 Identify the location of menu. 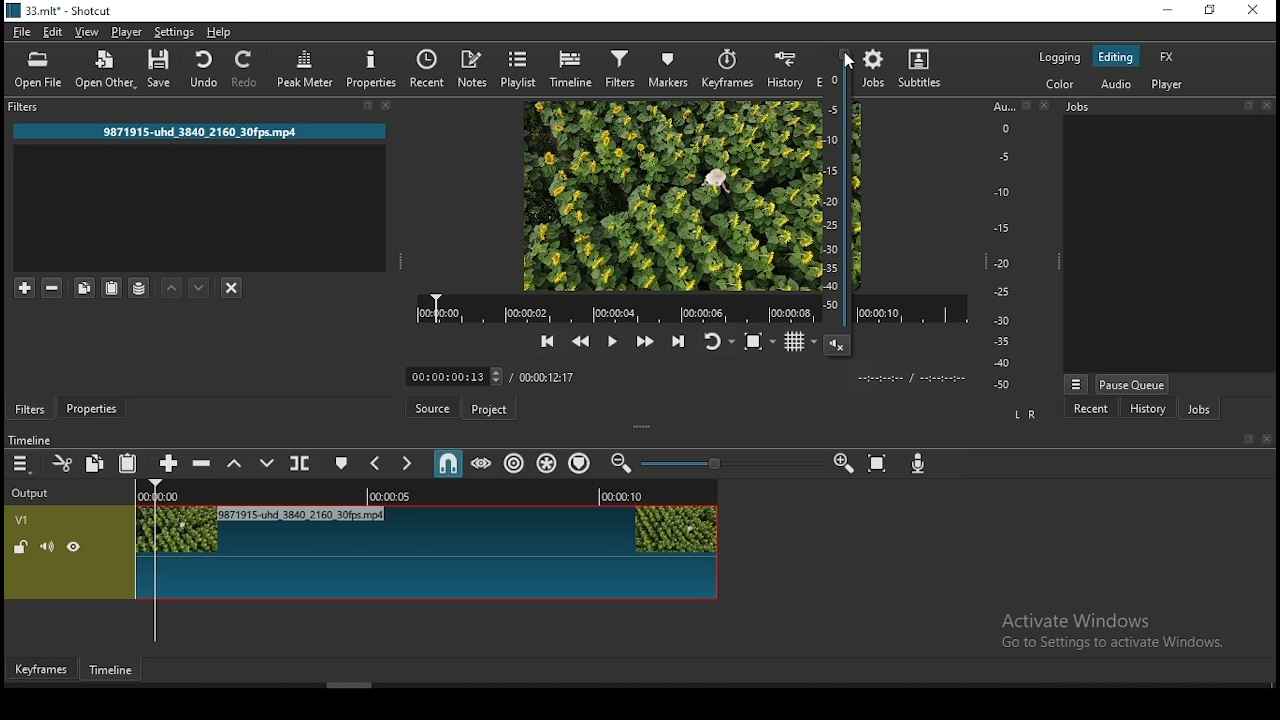
(23, 464).